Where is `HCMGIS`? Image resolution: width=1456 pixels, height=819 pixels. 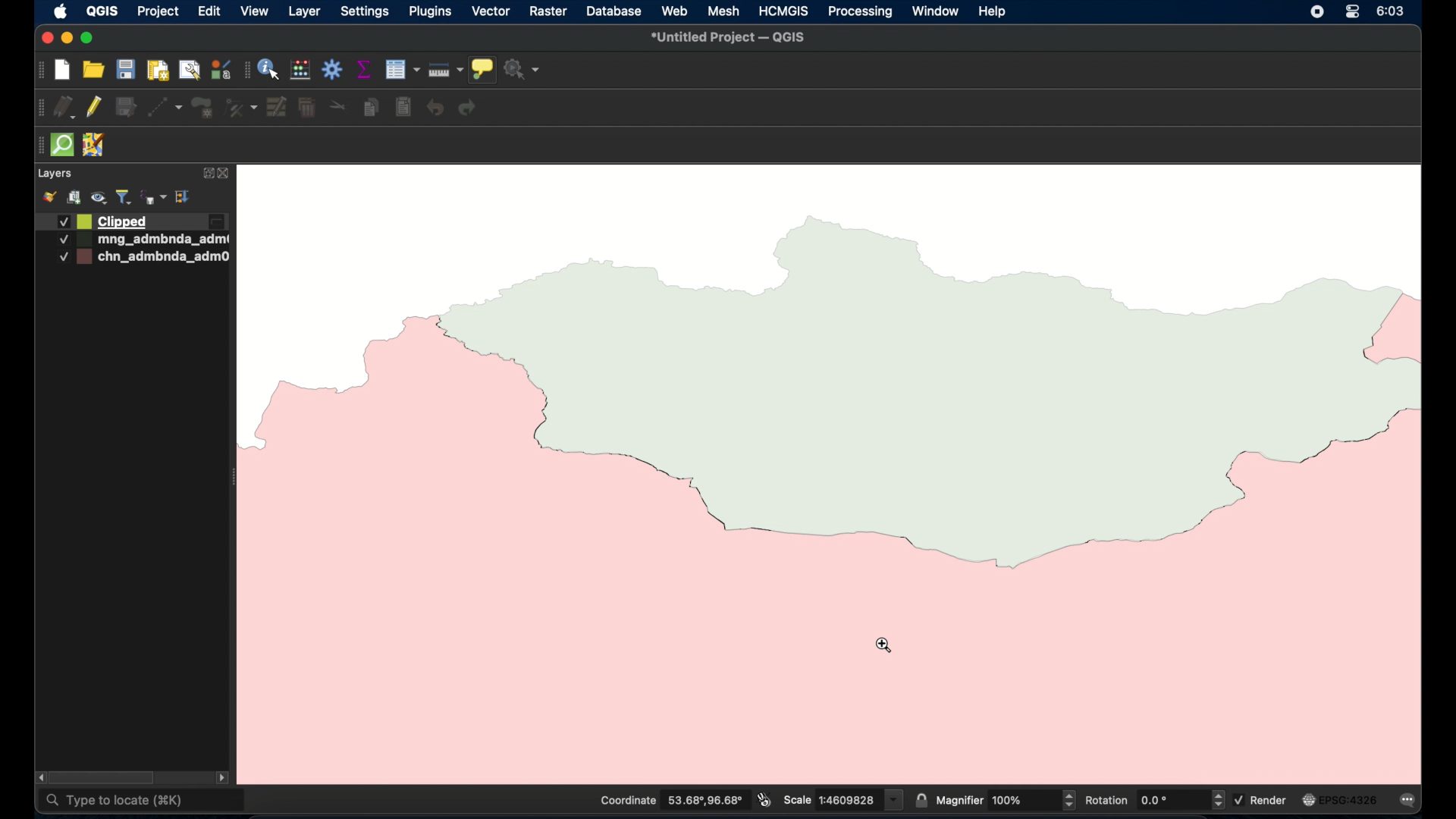 HCMGIS is located at coordinates (782, 11).